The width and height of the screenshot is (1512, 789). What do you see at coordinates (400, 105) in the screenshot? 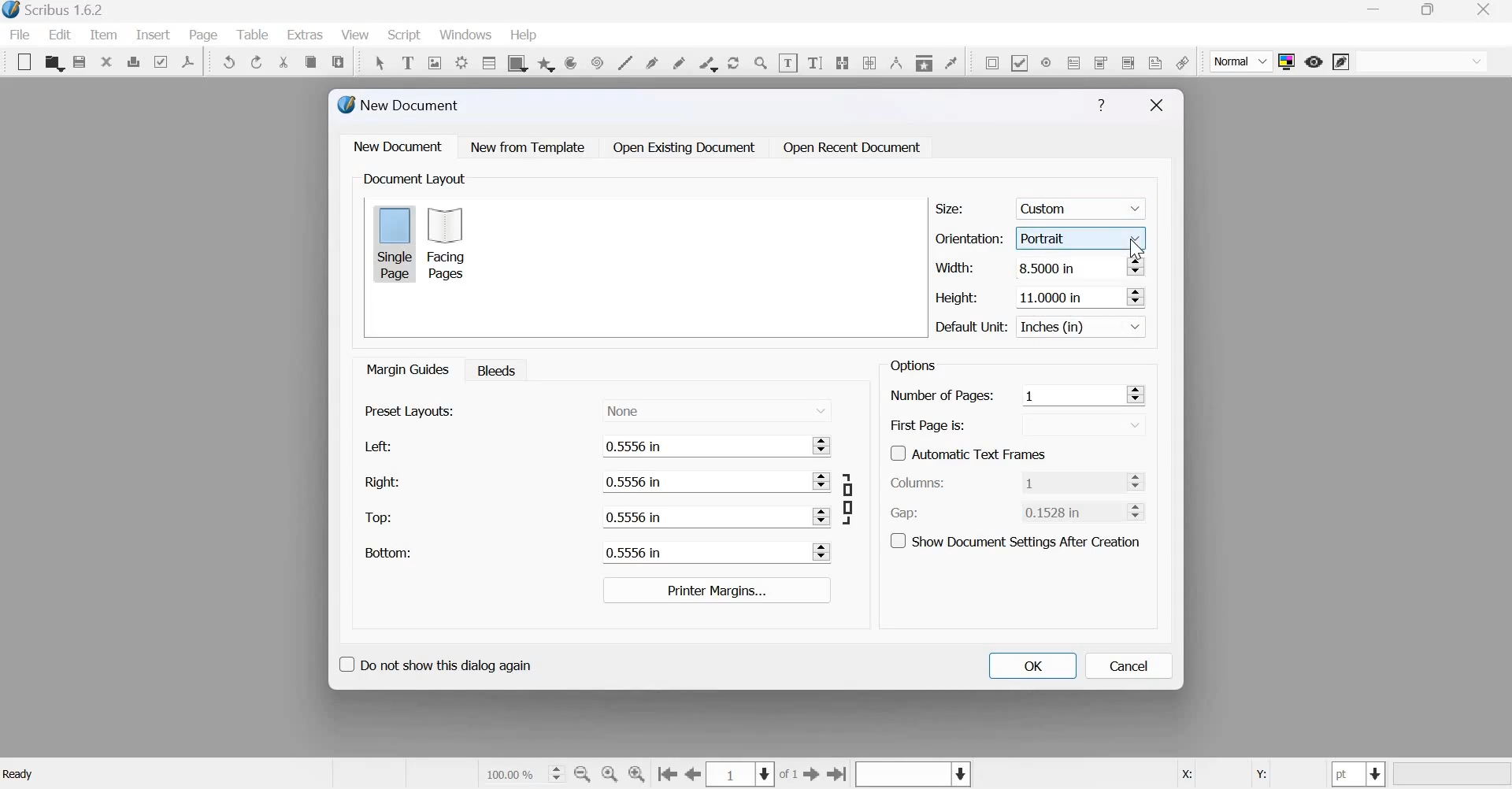
I see `New Document` at bounding box center [400, 105].